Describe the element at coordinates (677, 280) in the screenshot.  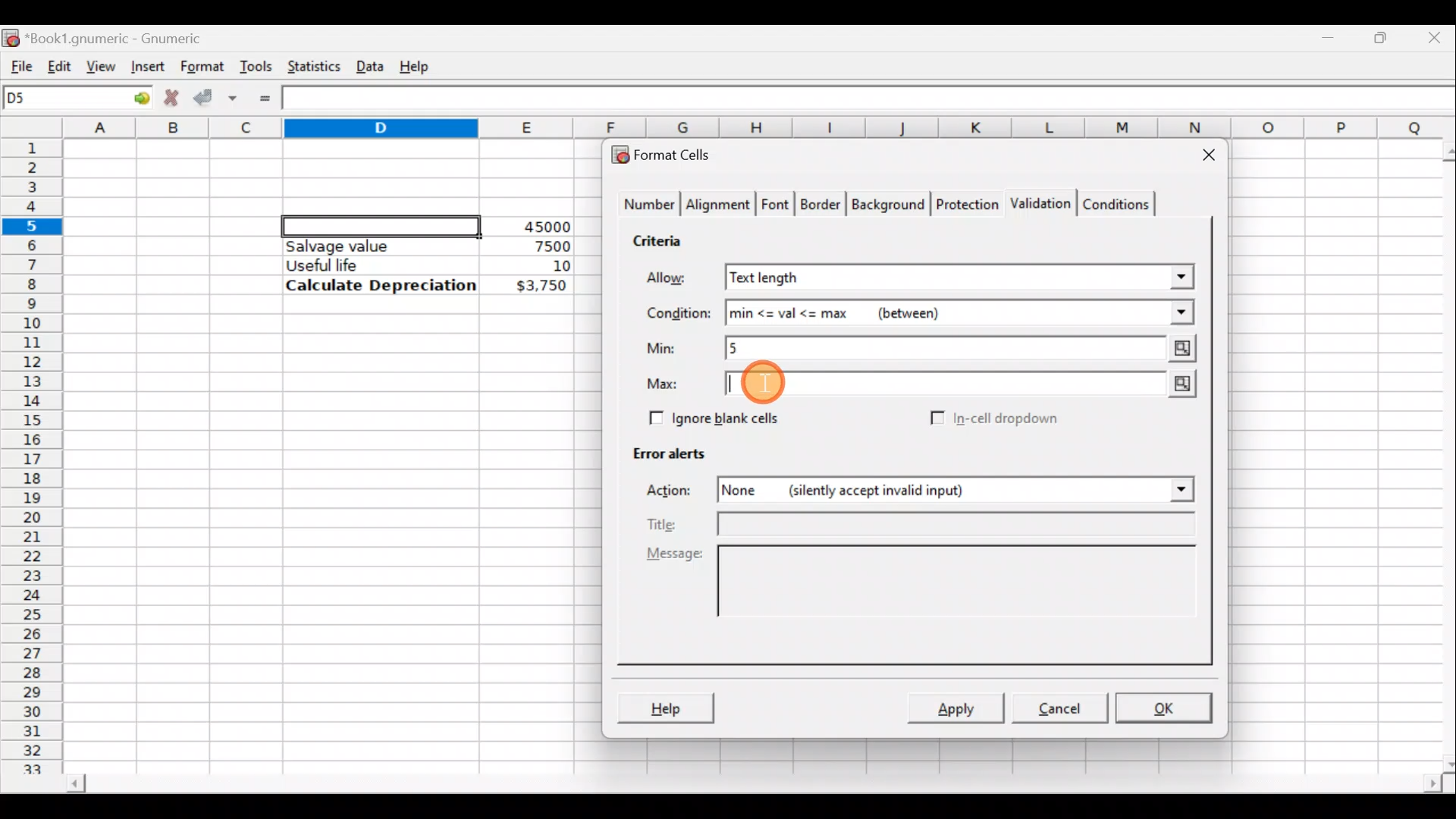
I see `Allow` at that location.